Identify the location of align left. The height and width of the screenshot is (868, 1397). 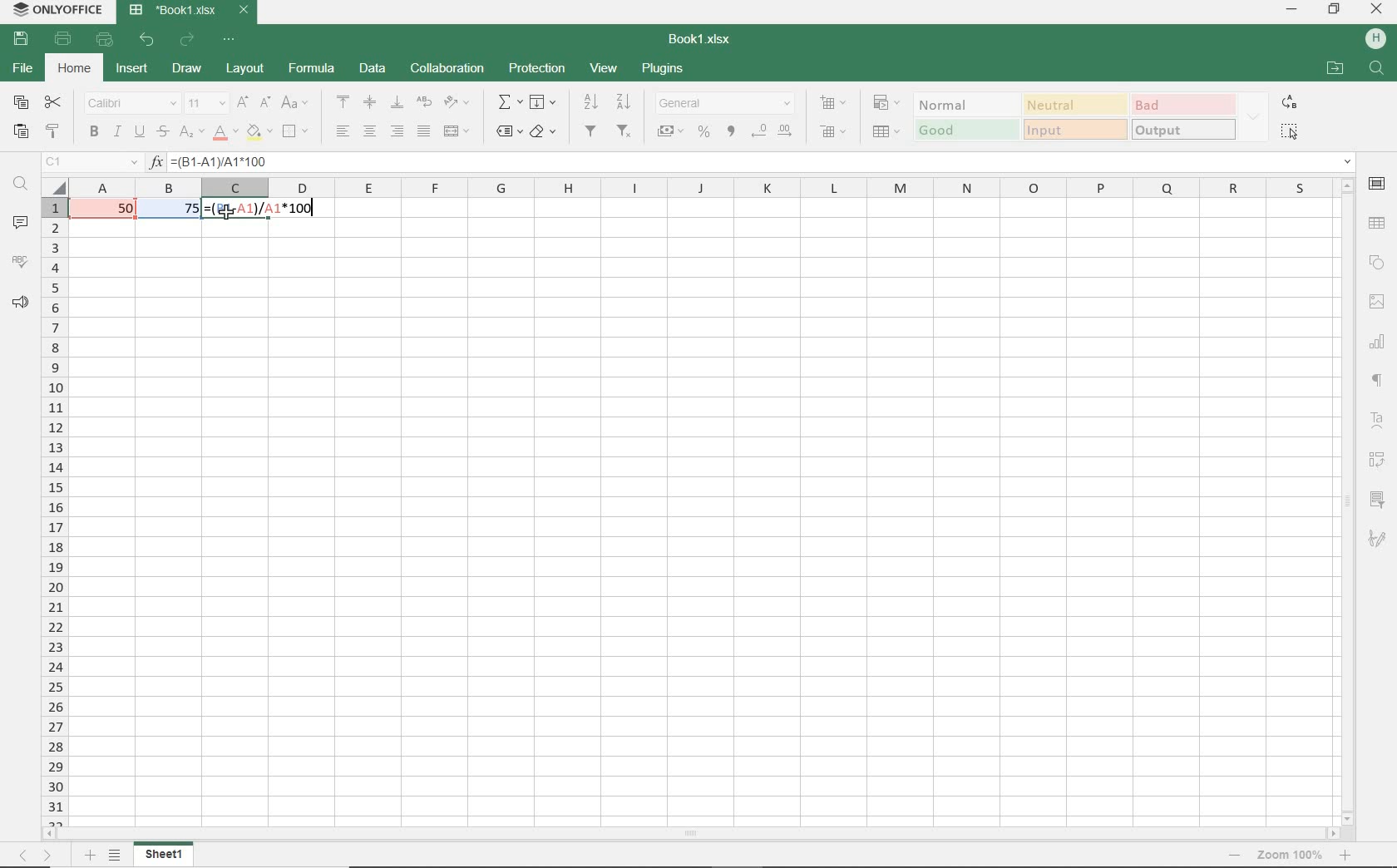
(342, 131).